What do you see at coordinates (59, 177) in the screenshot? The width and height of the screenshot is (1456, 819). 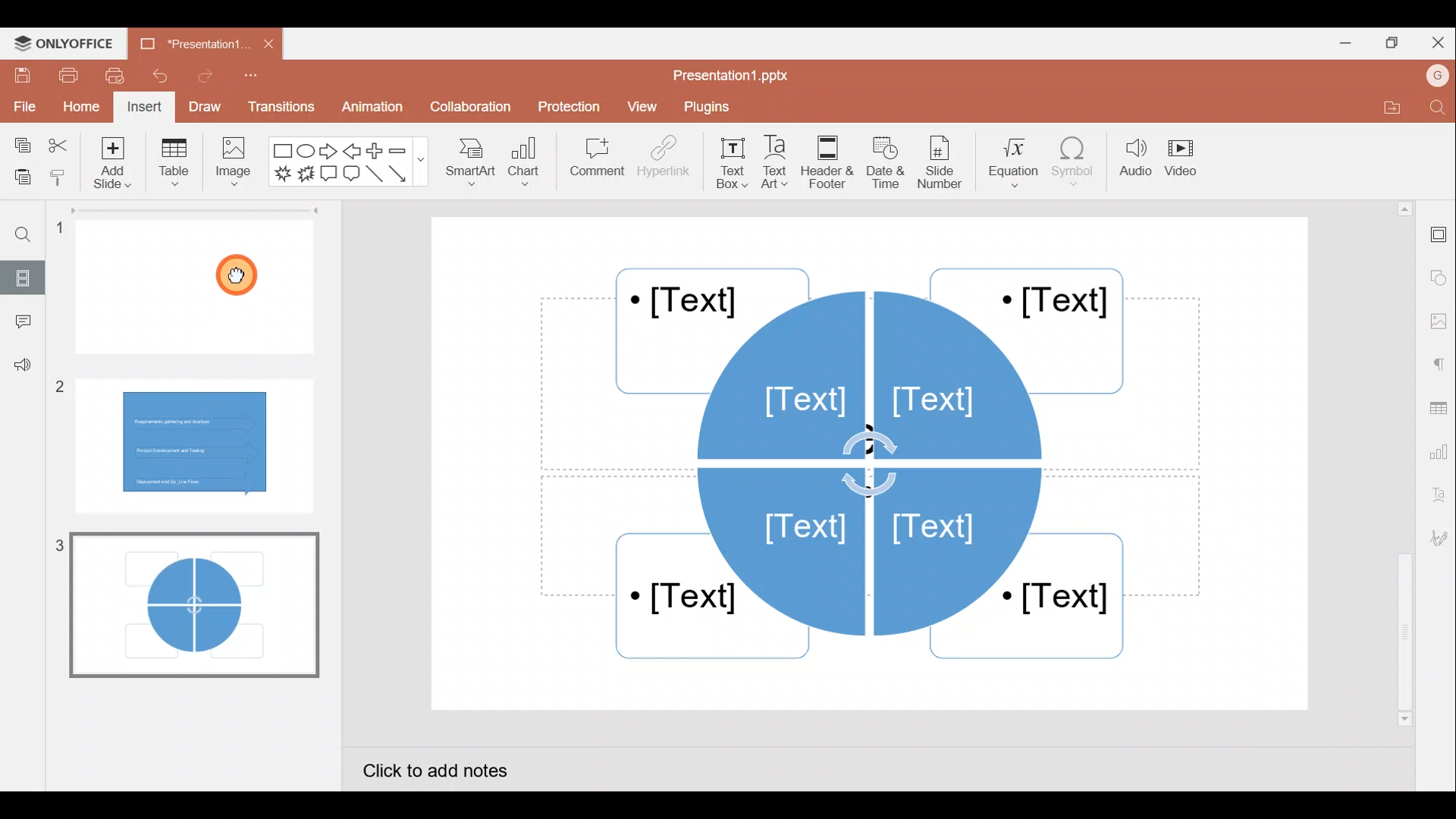 I see `Copy style` at bounding box center [59, 177].